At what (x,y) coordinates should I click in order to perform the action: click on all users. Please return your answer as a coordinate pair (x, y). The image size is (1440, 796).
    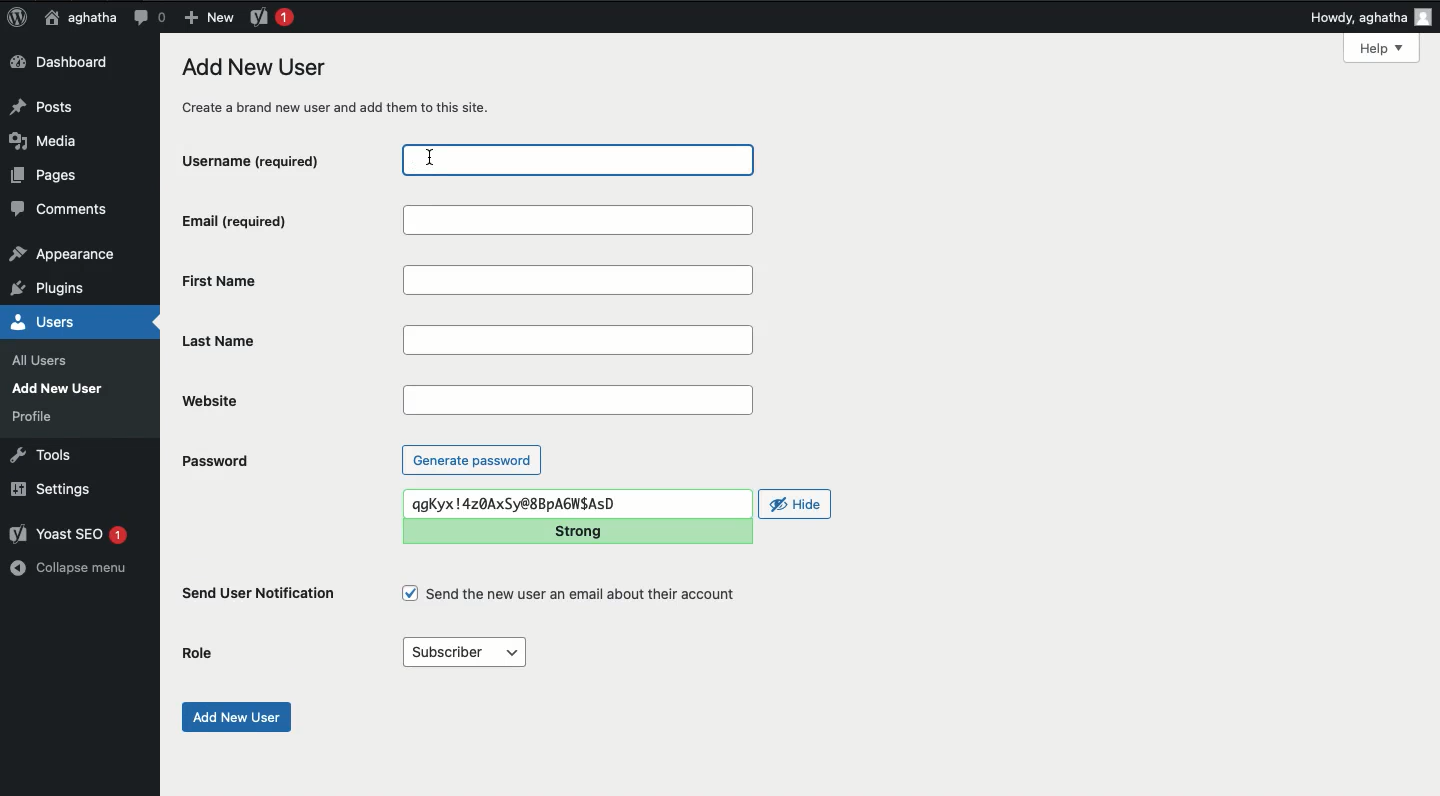
    Looking at the image, I should click on (45, 361).